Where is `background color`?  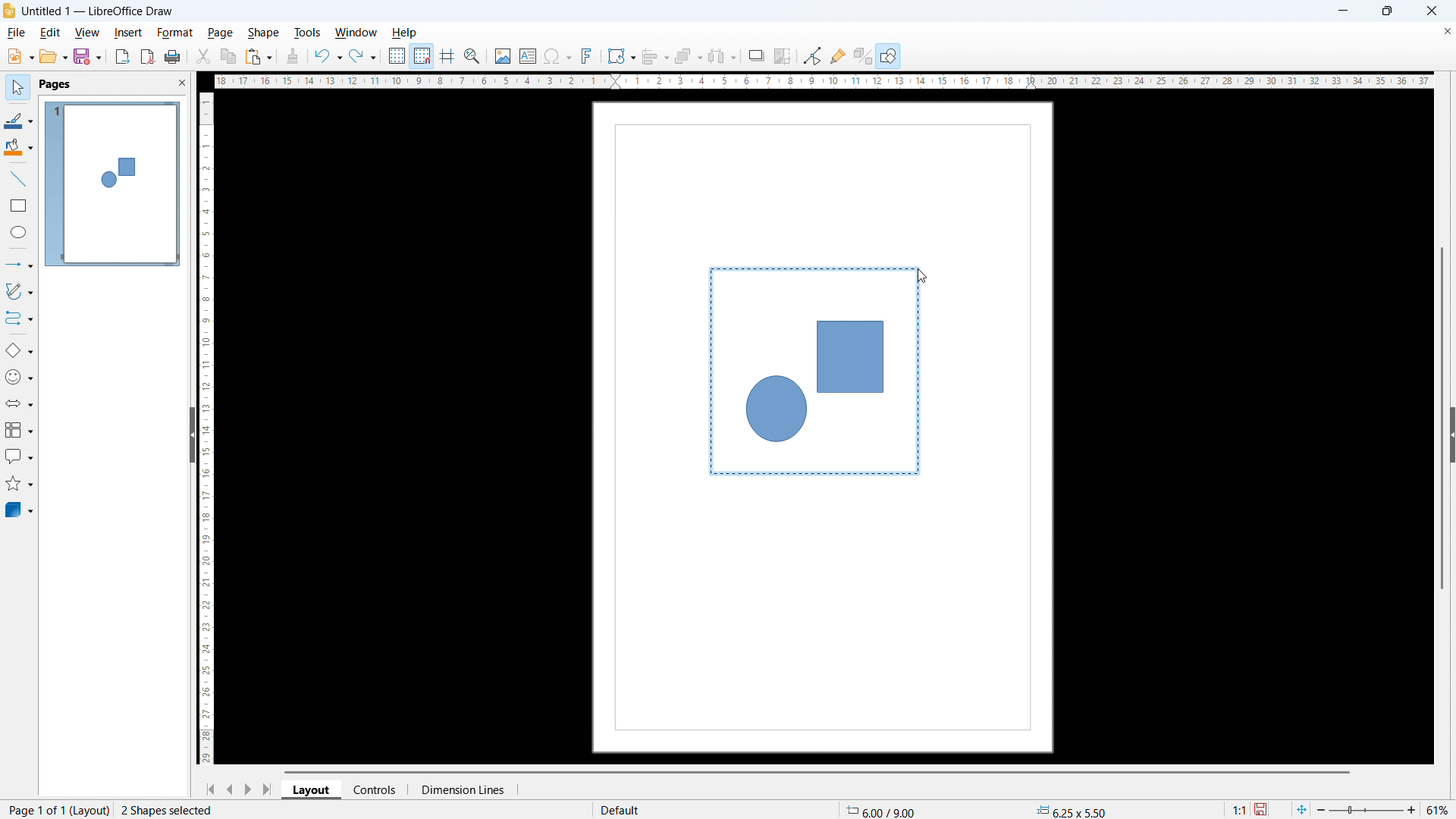 background color is located at coordinates (20, 148).